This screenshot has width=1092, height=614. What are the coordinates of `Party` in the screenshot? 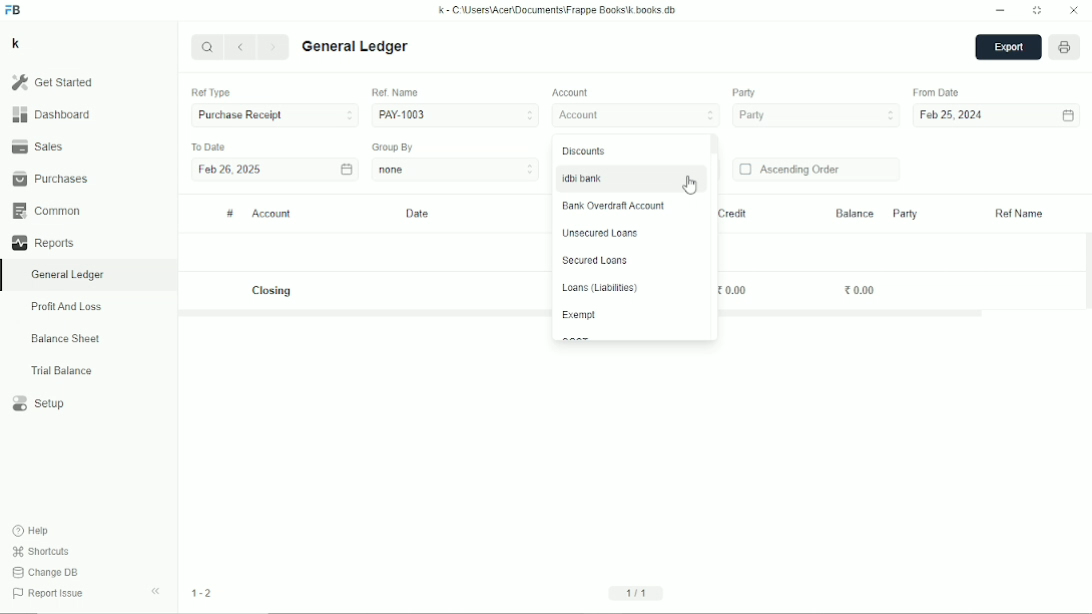 It's located at (816, 116).